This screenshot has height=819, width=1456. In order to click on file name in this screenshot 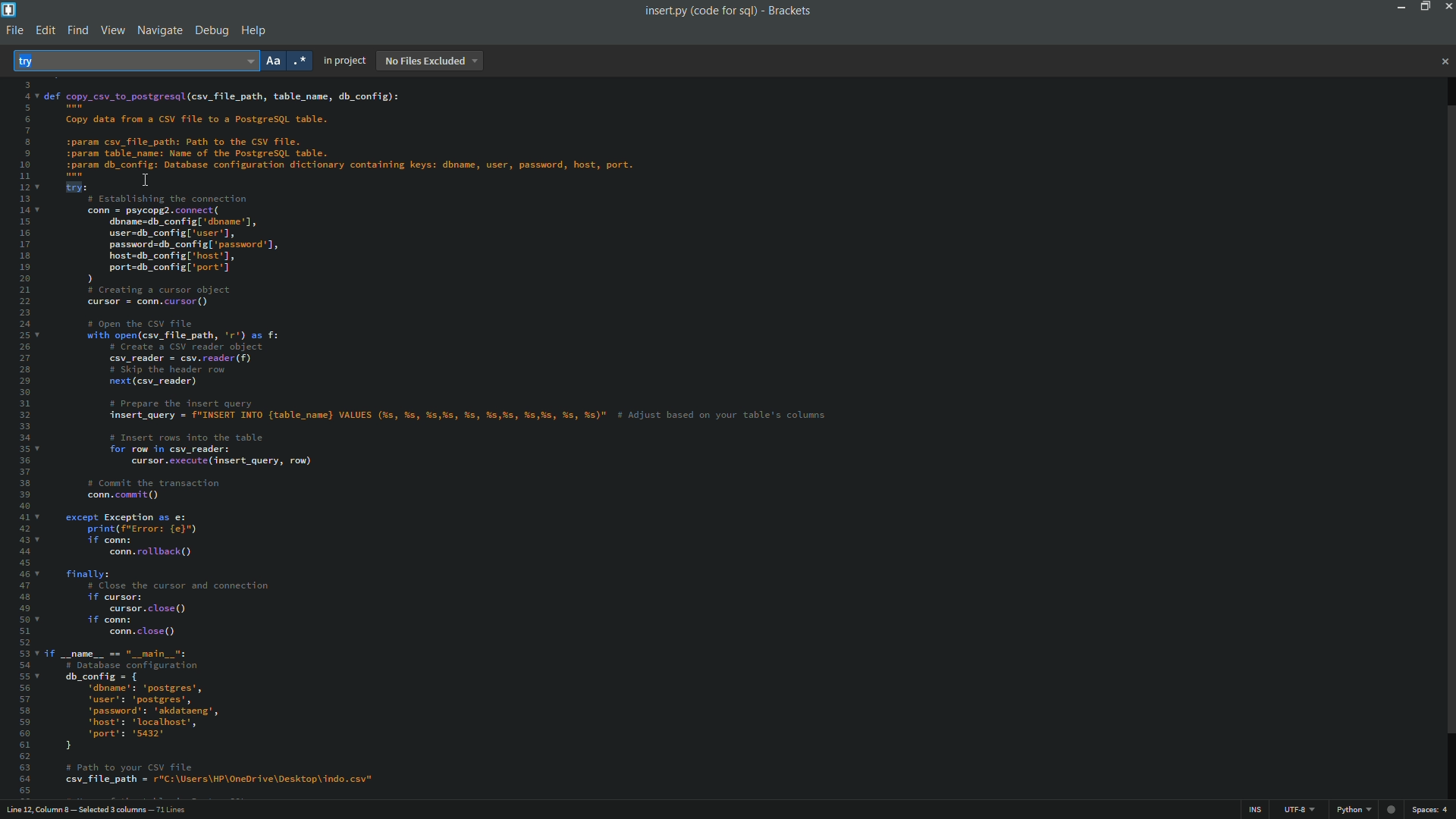, I will do `click(699, 11)`.